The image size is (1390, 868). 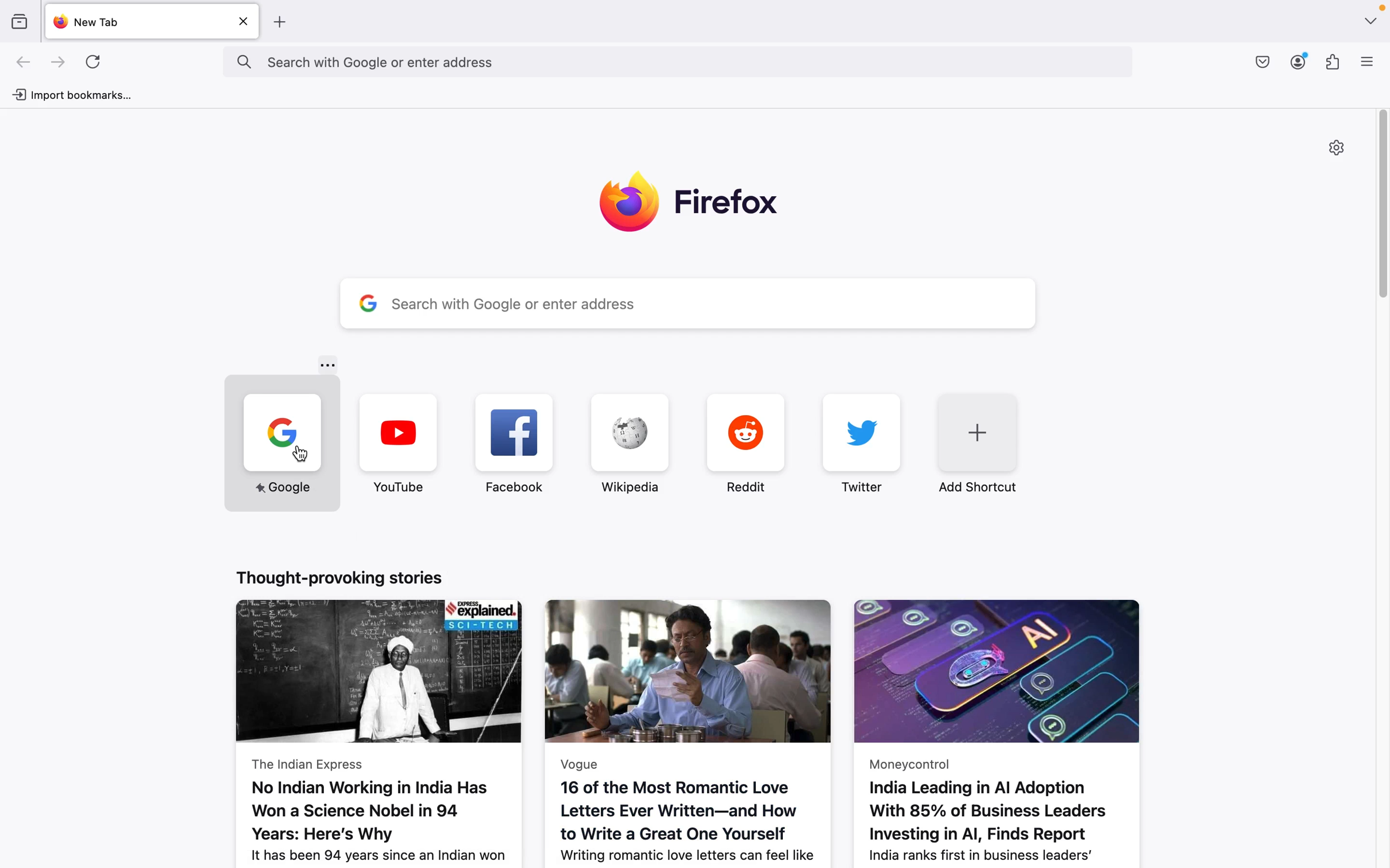 I want to click on go forward, so click(x=59, y=63).